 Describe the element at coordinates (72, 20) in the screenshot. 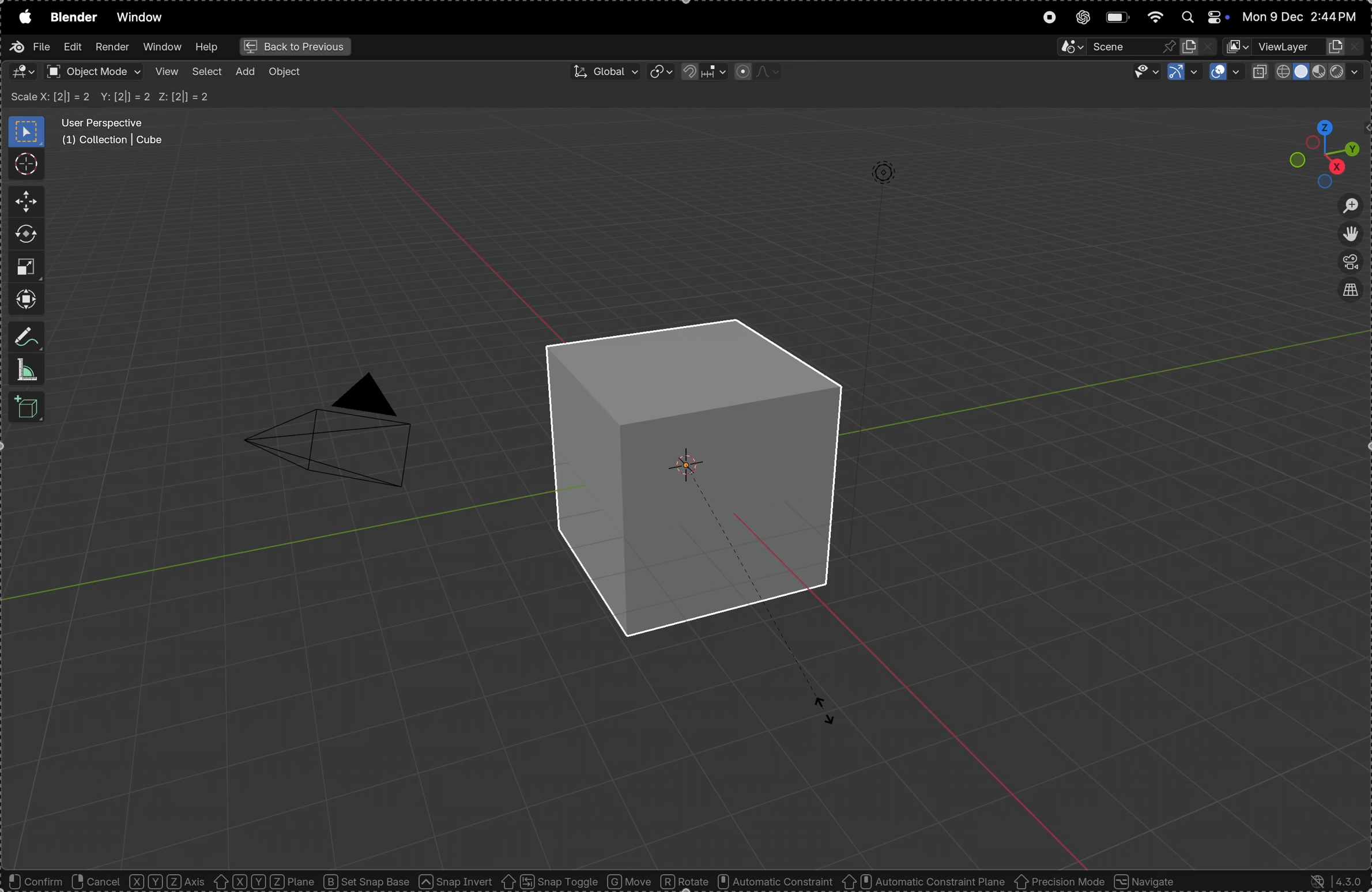

I see `blender` at that location.